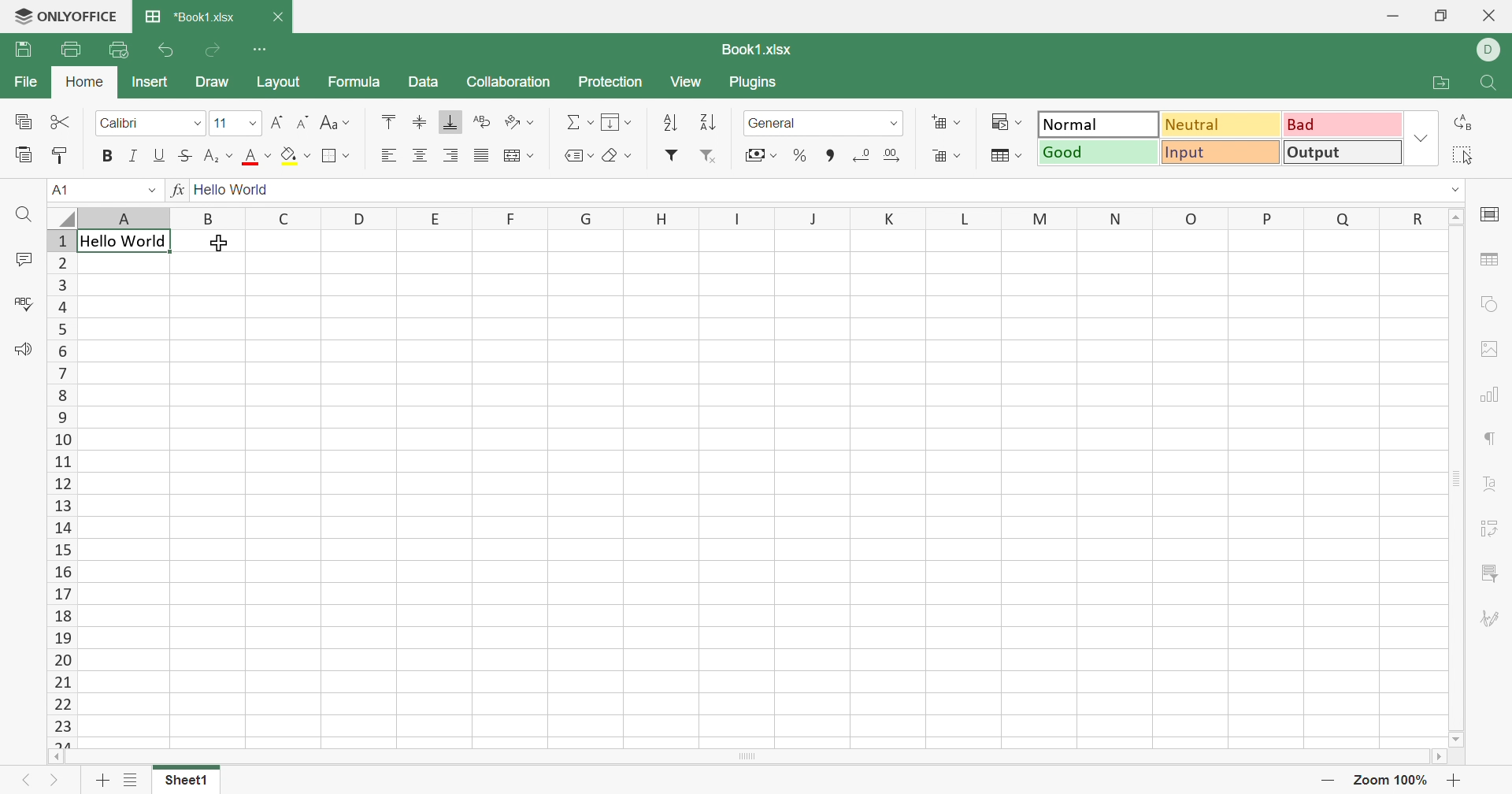 The image size is (1512, 794). Describe the element at coordinates (949, 122) in the screenshot. I see `Add cell` at that location.